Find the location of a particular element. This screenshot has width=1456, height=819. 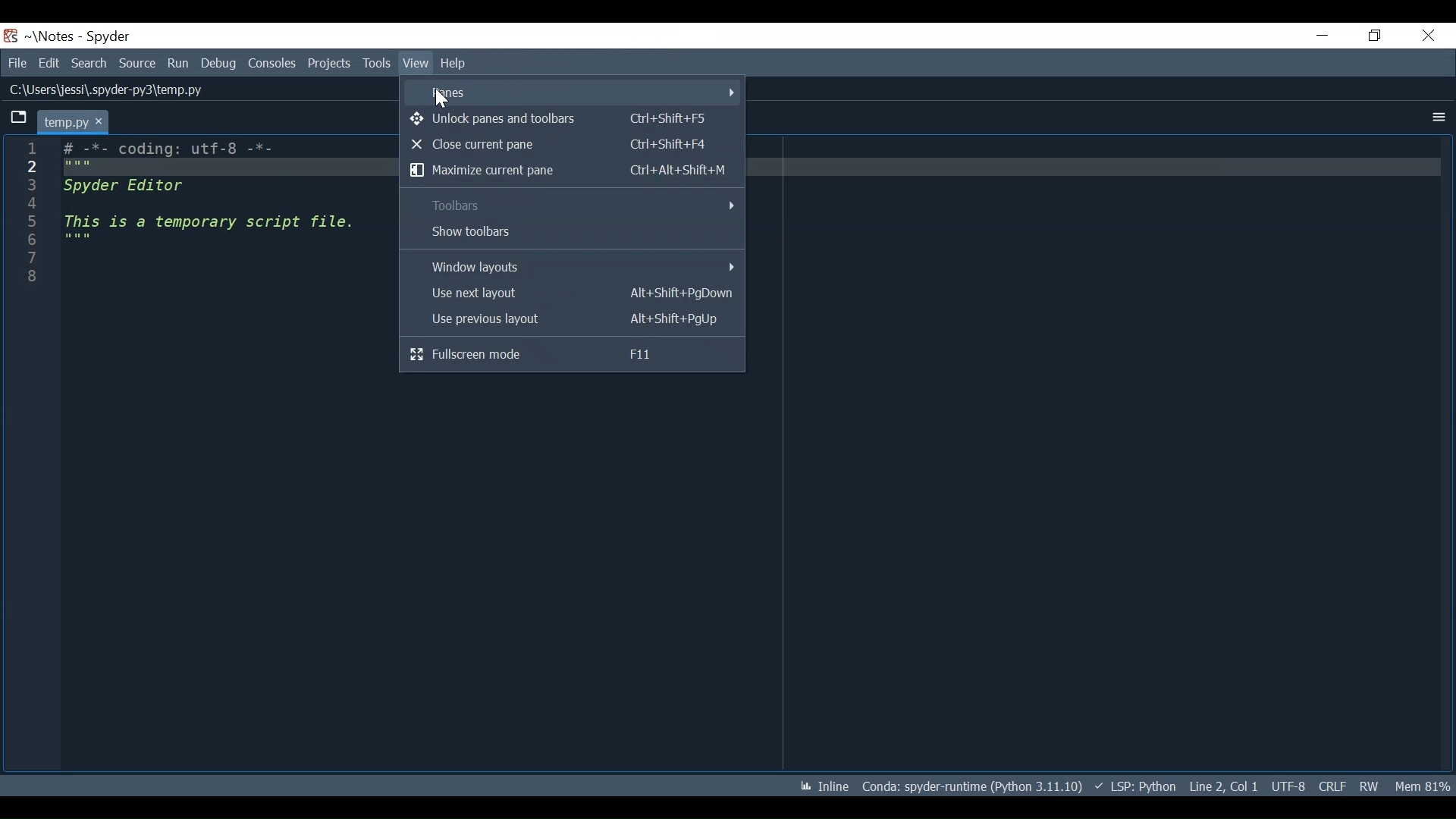

Use next layout is located at coordinates (574, 294).